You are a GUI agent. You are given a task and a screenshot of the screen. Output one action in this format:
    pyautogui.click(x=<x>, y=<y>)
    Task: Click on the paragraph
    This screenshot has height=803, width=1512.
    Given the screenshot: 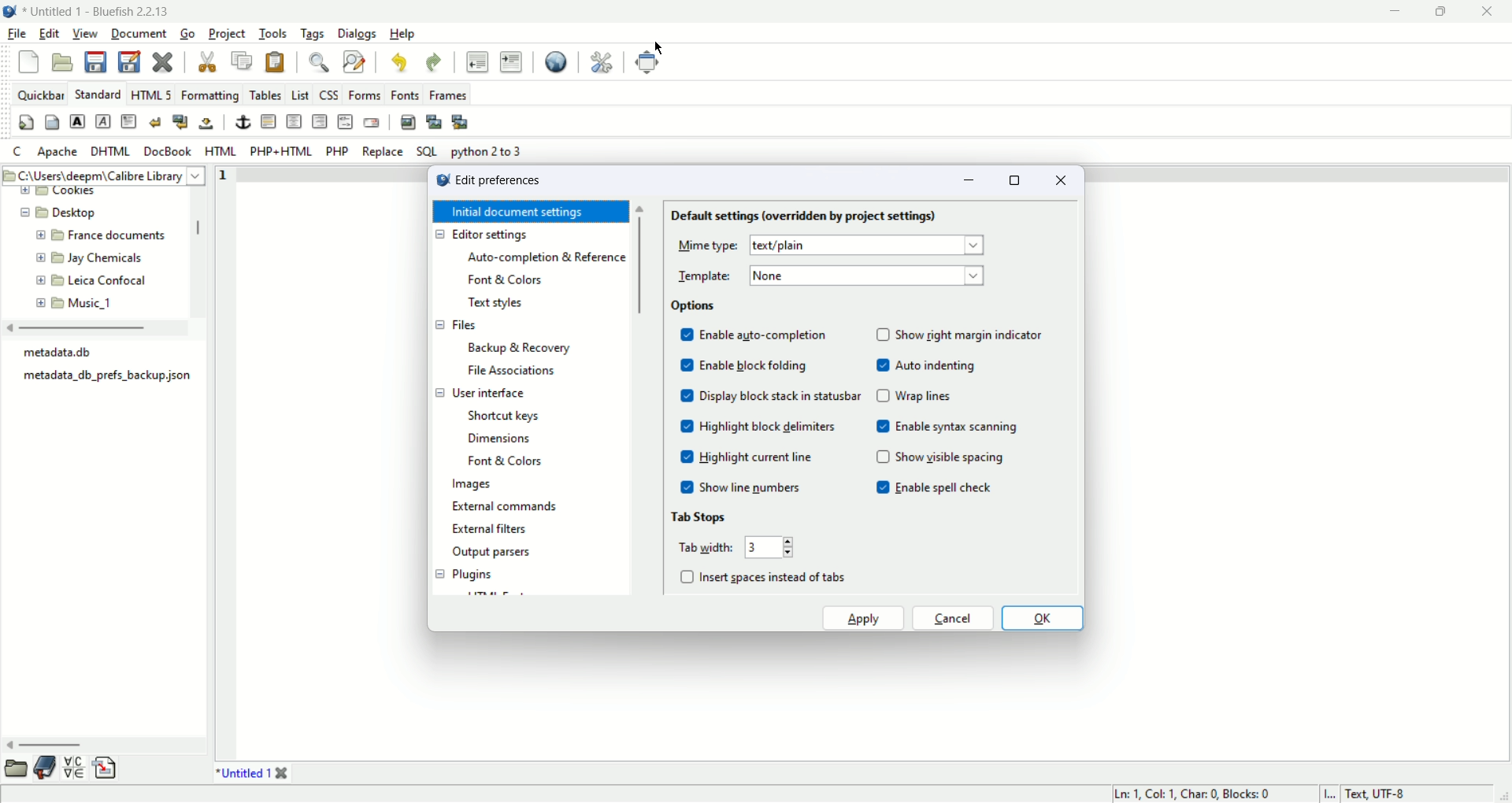 What is the action you would take?
    pyautogui.click(x=128, y=121)
    